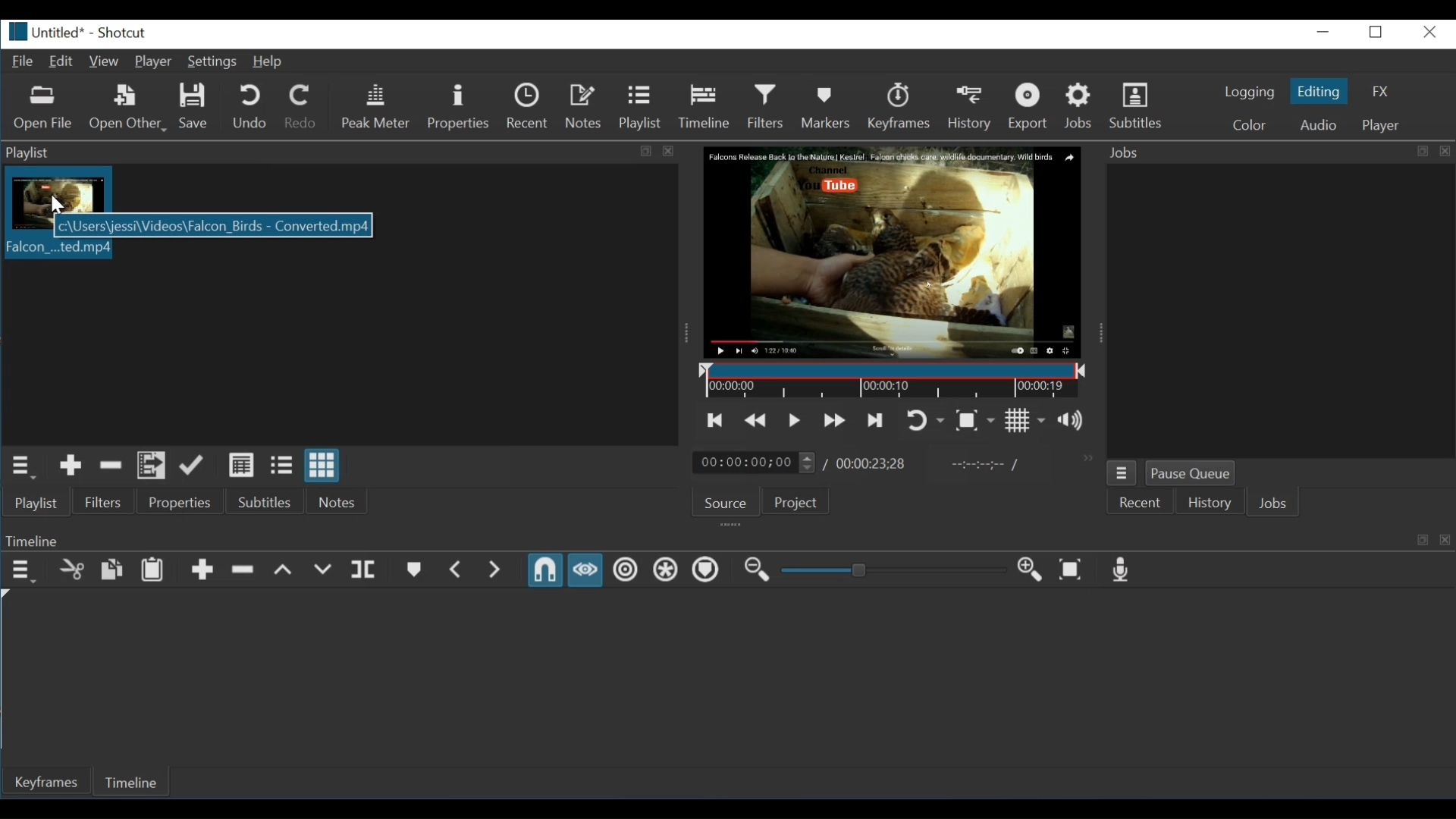 The height and width of the screenshot is (819, 1456). Describe the element at coordinates (895, 381) in the screenshot. I see `Timeline` at that location.